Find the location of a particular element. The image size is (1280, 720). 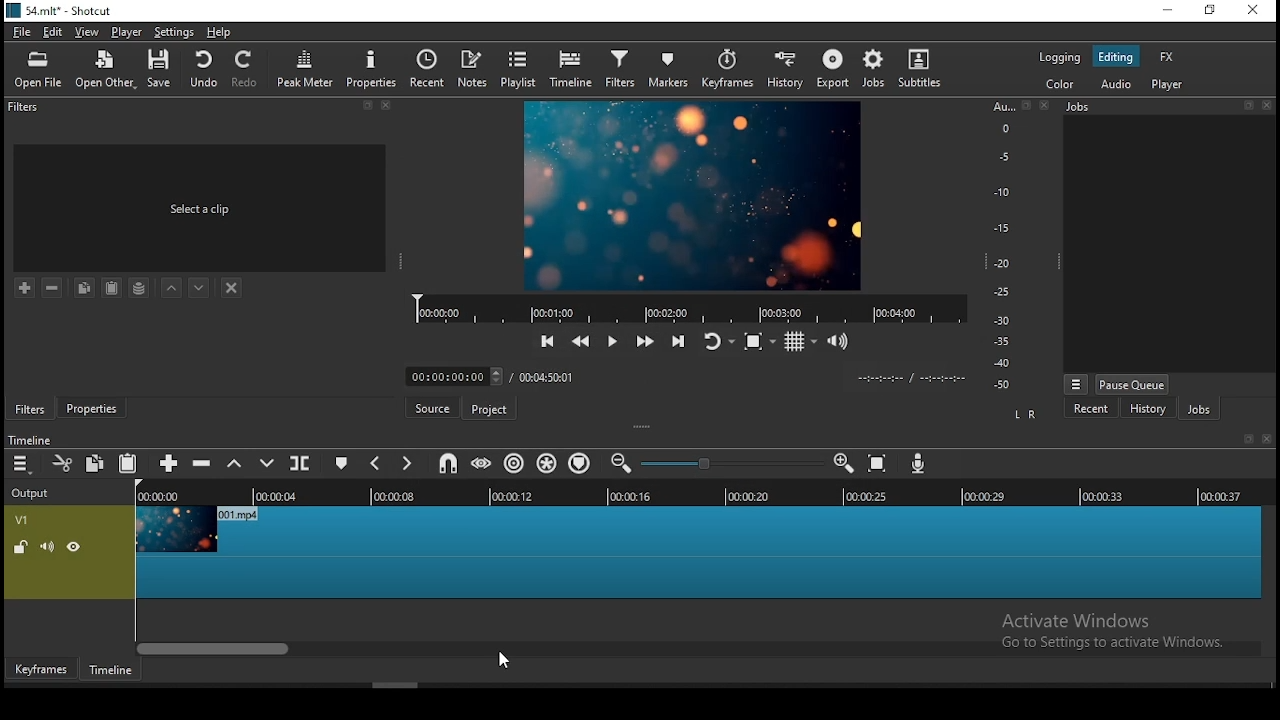

image is located at coordinates (695, 195).